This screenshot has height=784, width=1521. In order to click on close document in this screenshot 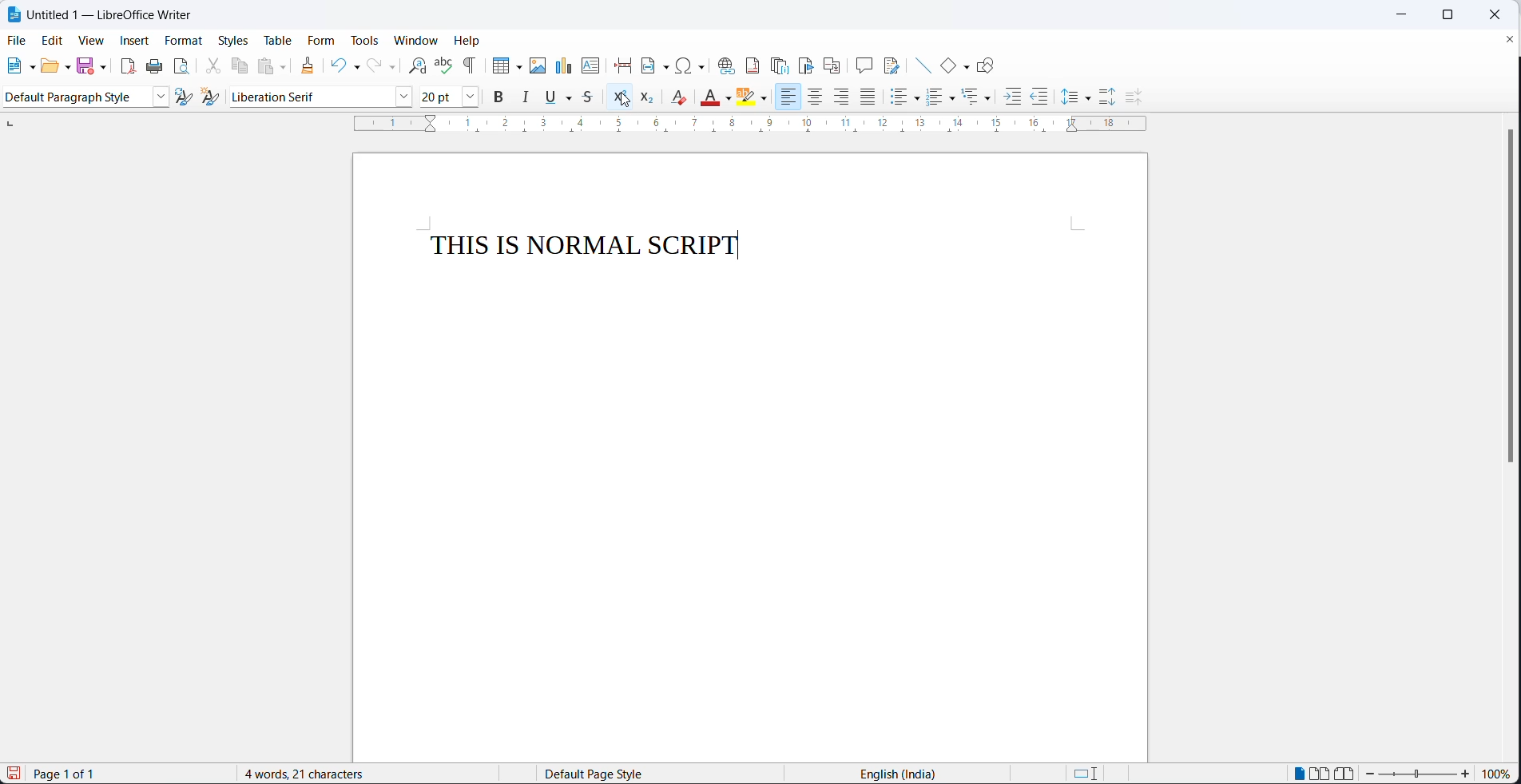, I will do `click(1508, 38)`.